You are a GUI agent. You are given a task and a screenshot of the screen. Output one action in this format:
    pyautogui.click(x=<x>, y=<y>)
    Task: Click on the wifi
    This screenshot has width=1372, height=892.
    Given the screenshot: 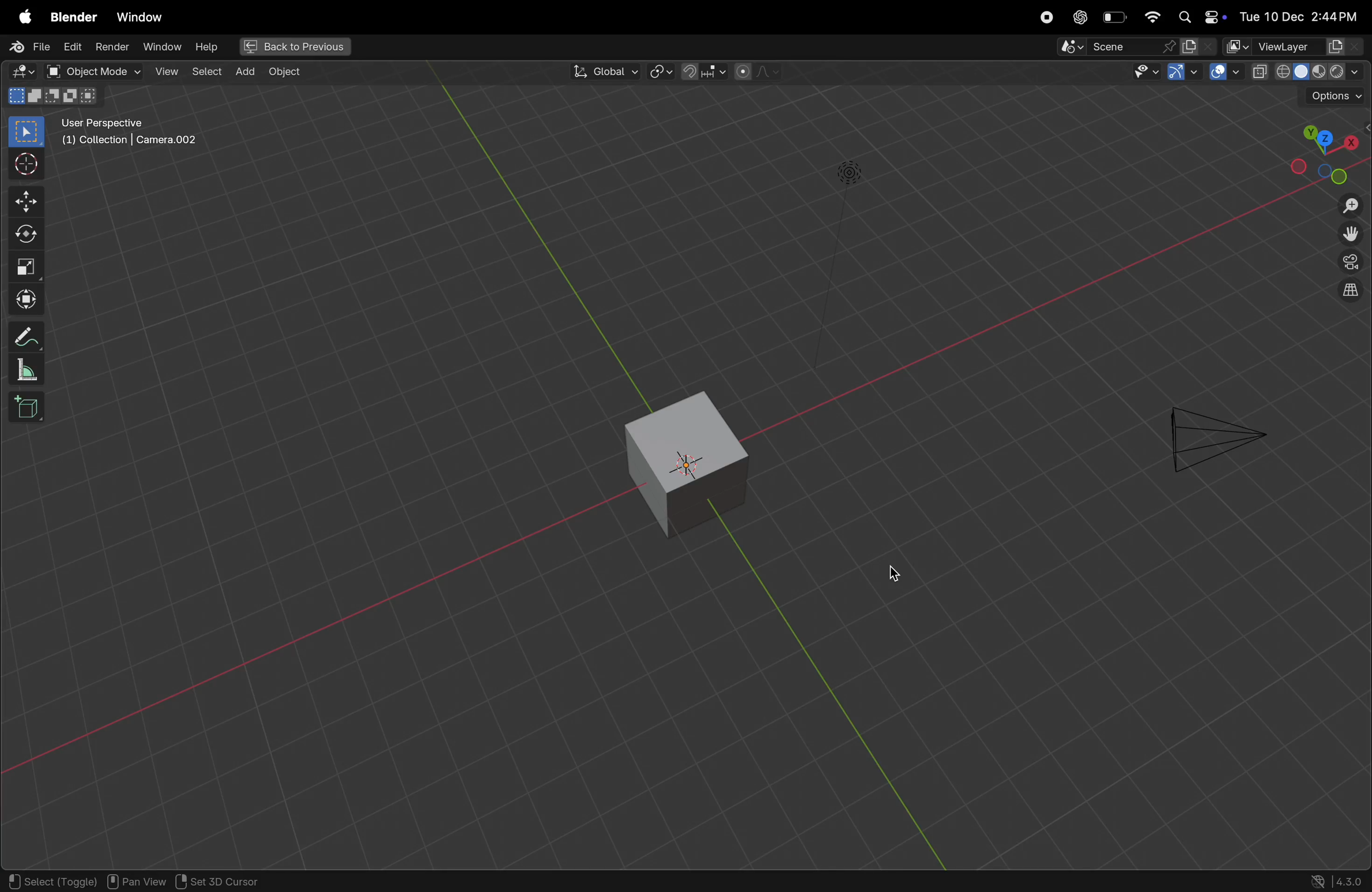 What is the action you would take?
    pyautogui.click(x=1152, y=17)
    